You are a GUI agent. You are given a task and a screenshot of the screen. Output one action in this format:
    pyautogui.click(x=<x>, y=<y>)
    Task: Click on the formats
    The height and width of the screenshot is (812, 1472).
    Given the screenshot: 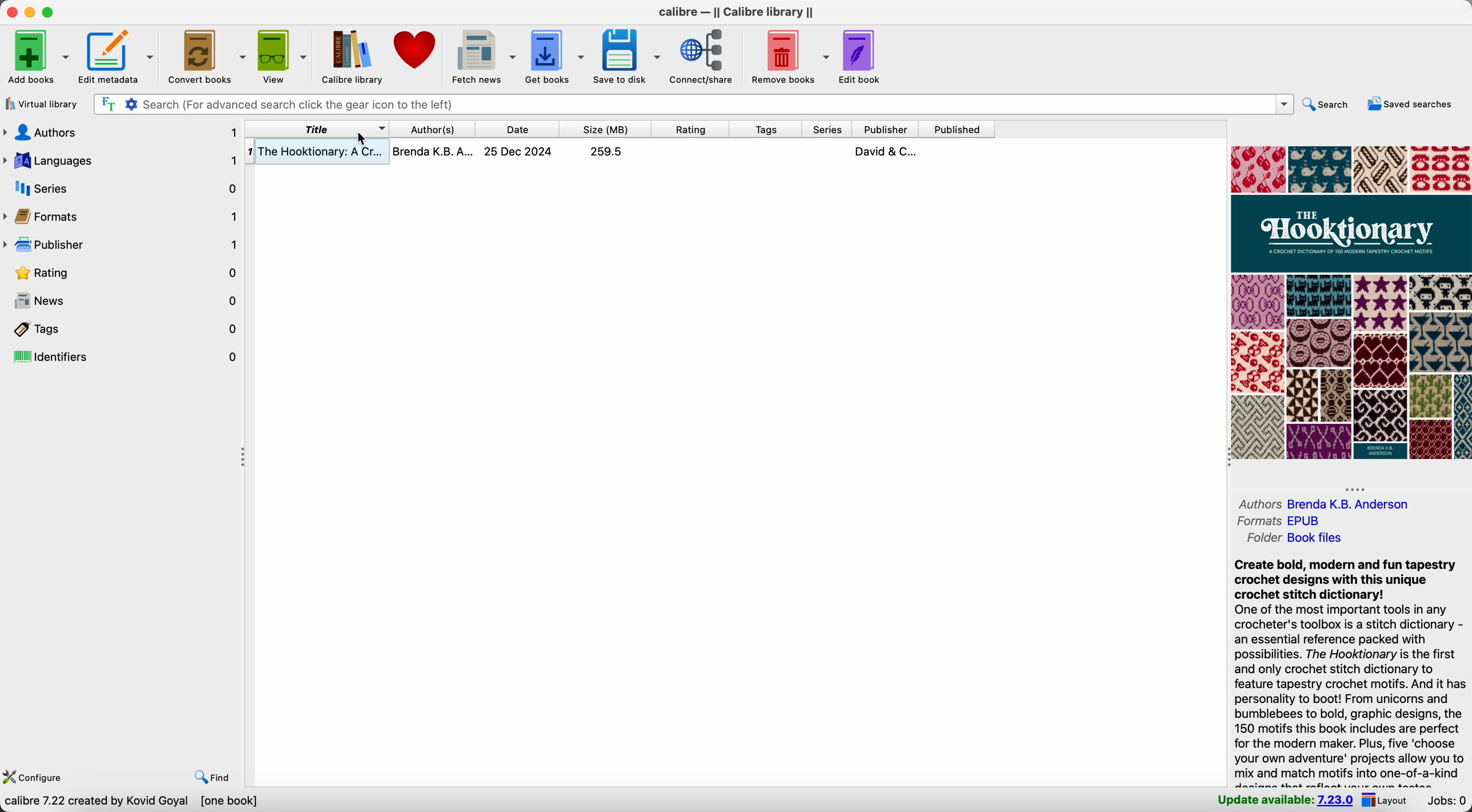 What is the action you would take?
    pyautogui.click(x=1279, y=522)
    